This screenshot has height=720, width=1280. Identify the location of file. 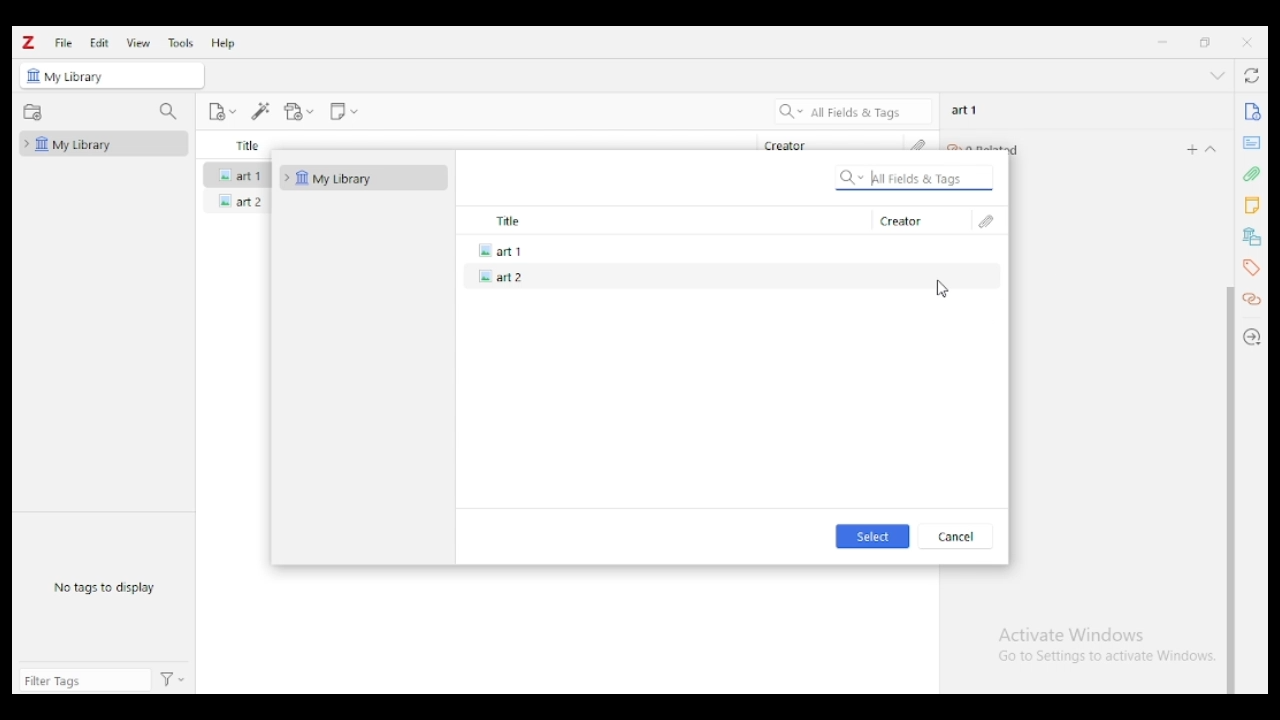
(63, 42).